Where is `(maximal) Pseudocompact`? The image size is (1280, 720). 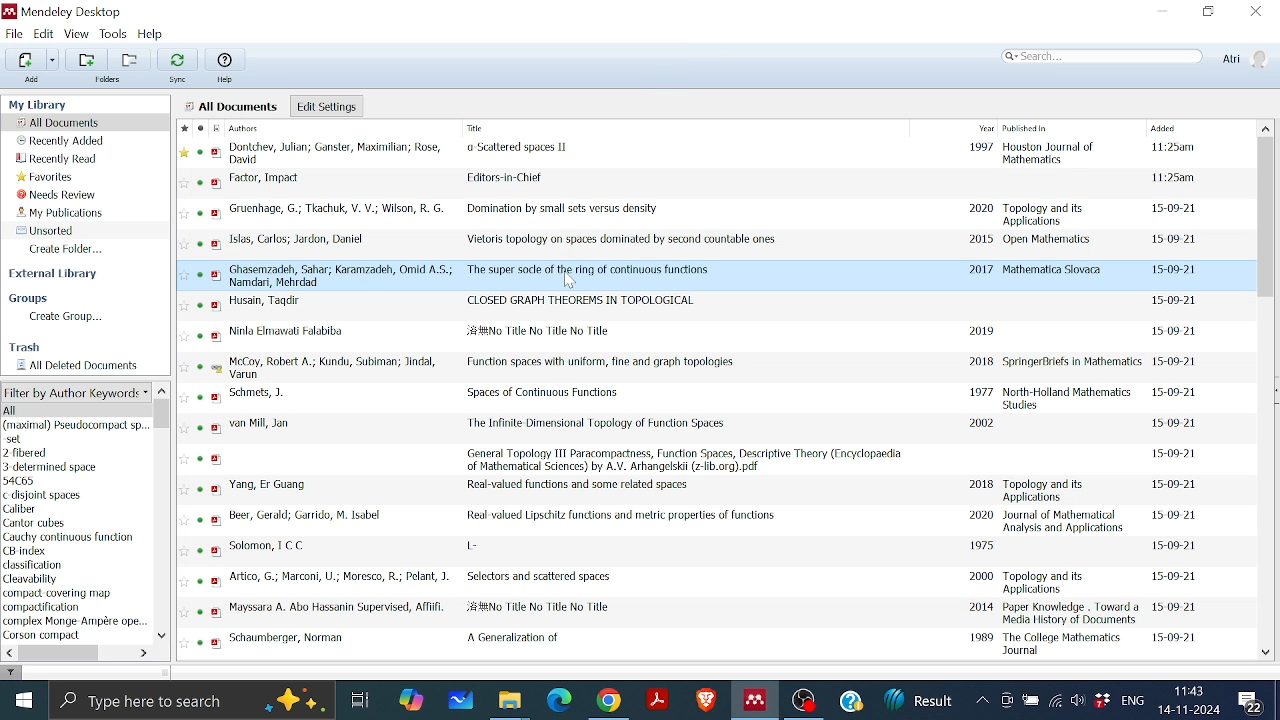 (maximal) Pseudocompact is located at coordinates (75, 431).